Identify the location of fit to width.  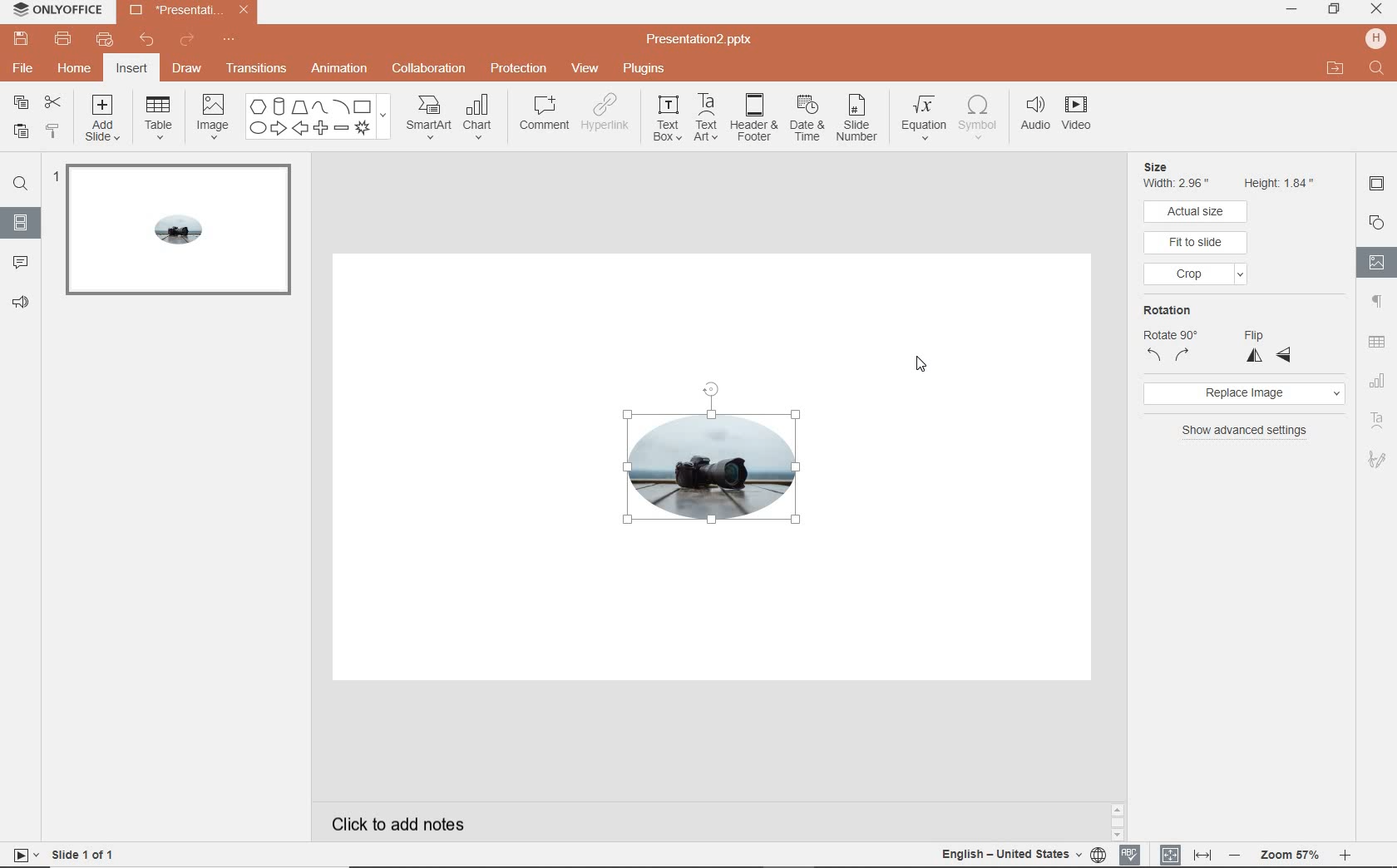
(1202, 855).